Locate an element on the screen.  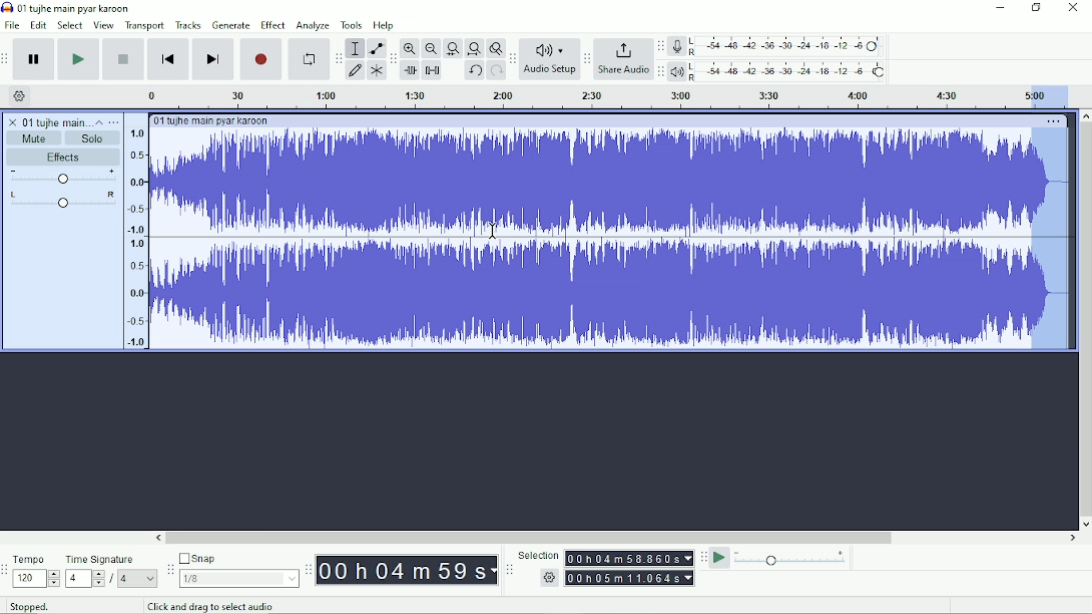
Fit project to width is located at coordinates (474, 48).